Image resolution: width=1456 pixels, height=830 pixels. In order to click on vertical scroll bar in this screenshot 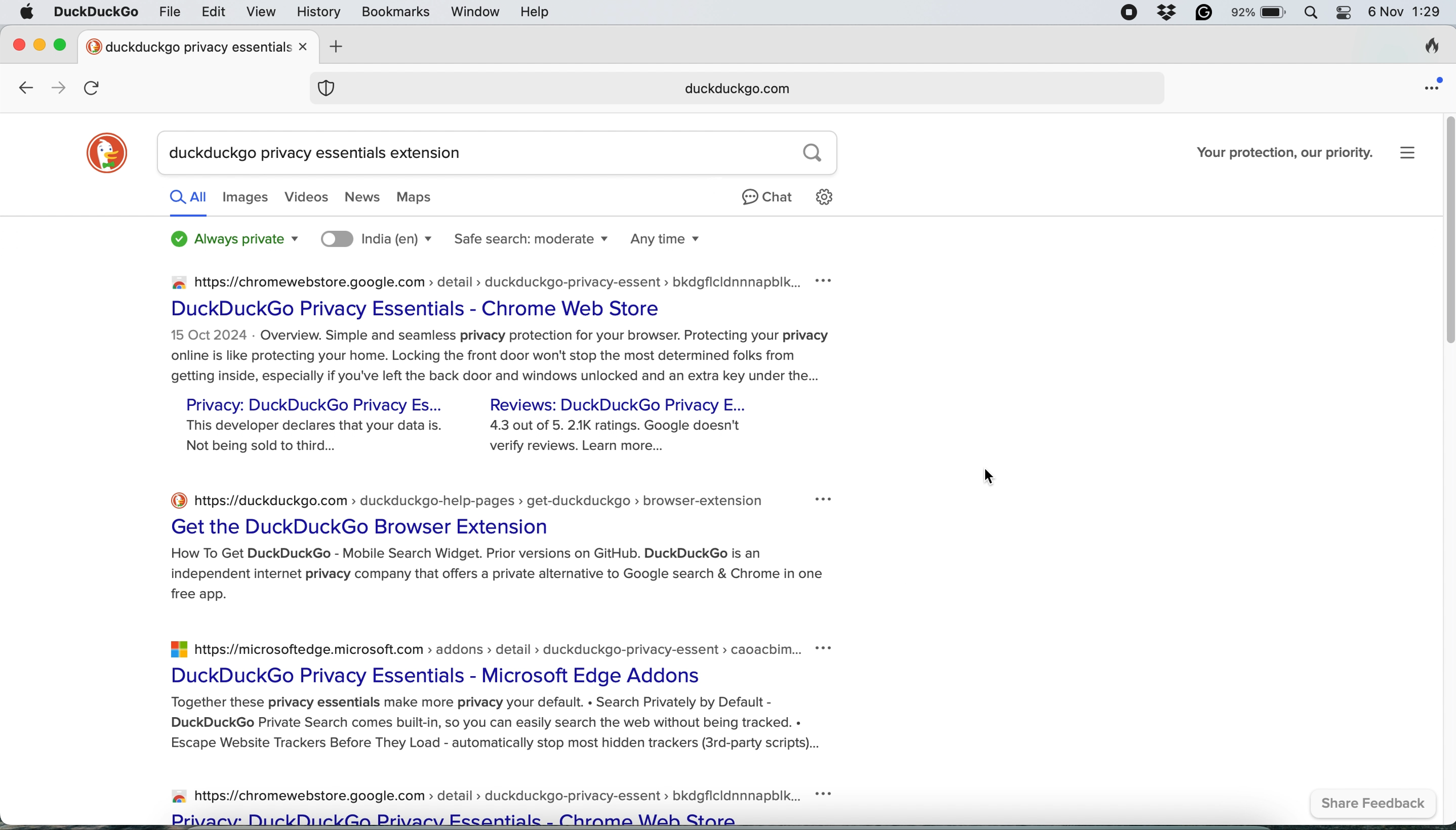, I will do `click(1439, 235)`.